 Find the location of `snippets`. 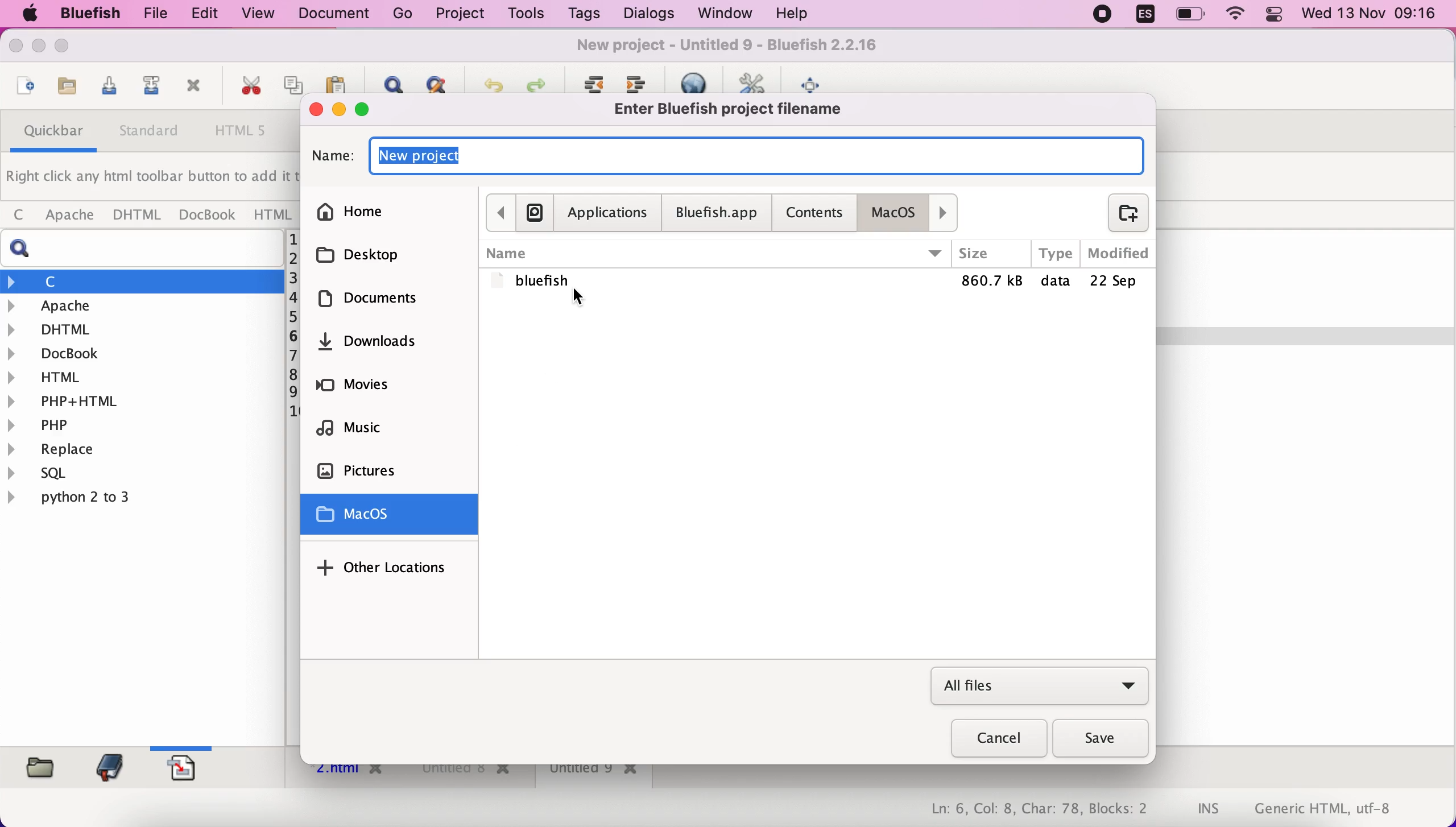

snippets is located at coordinates (188, 766).